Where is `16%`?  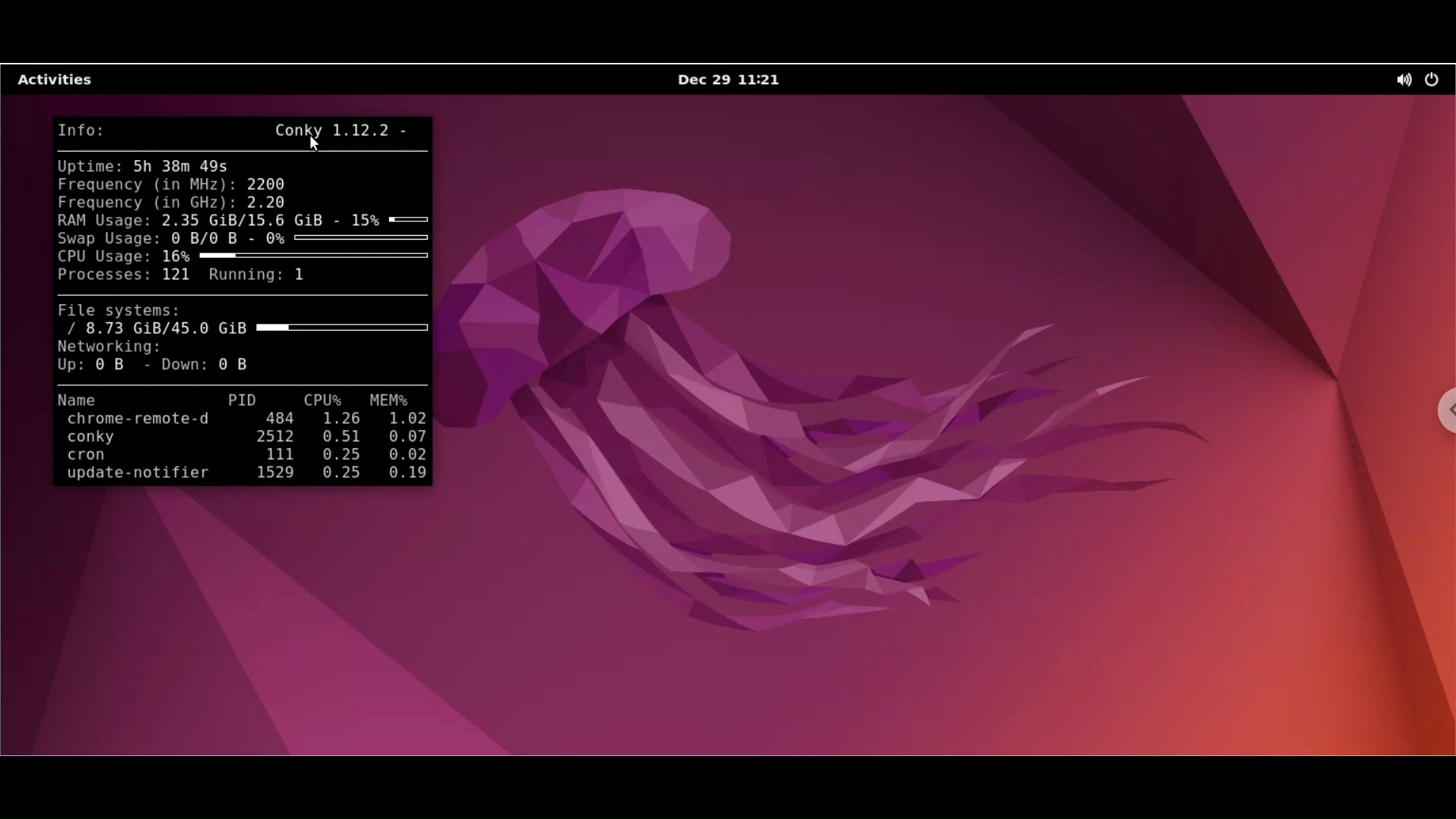
16% is located at coordinates (297, 257).